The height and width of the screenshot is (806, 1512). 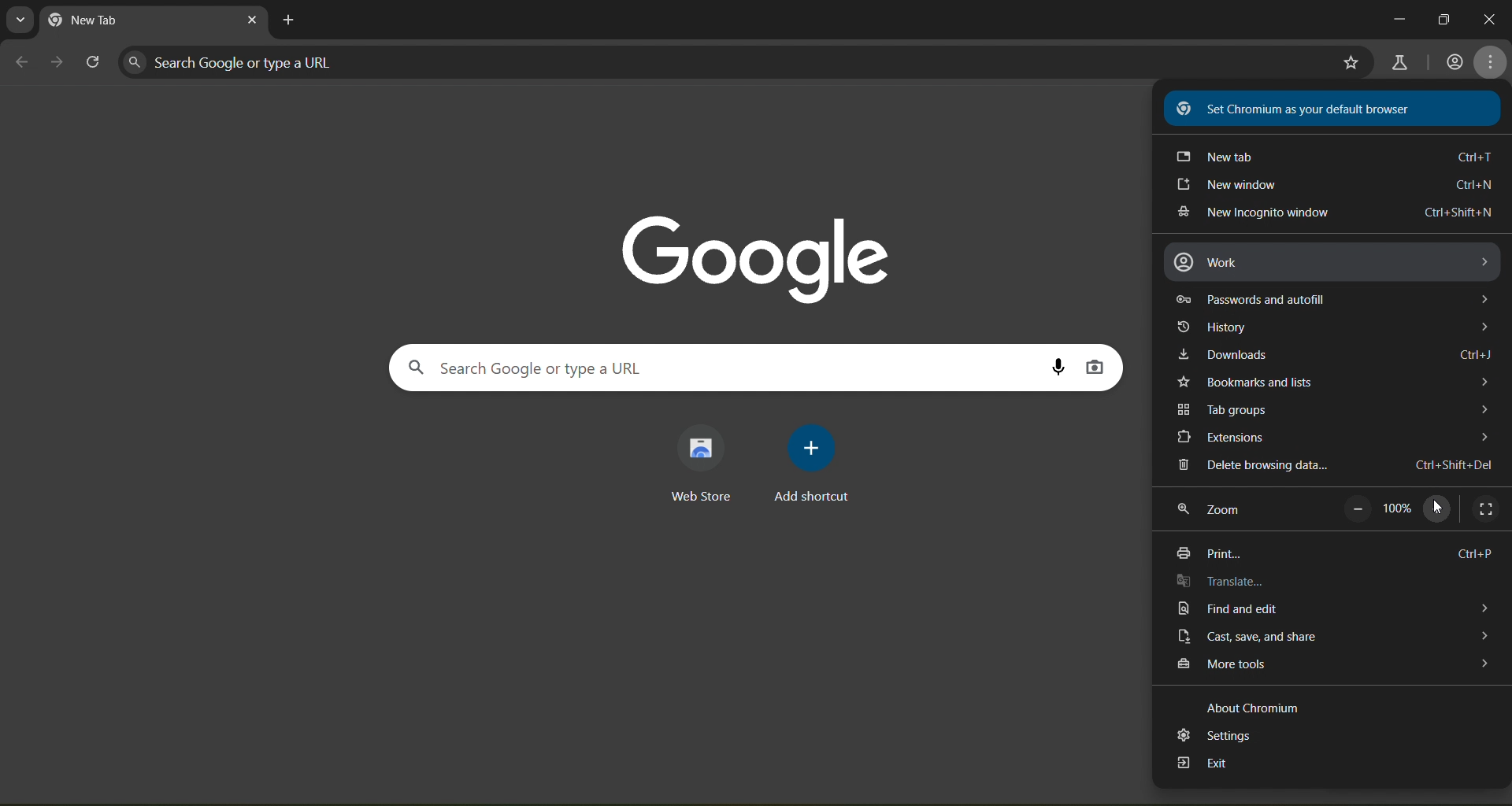 What do you see at coordinates (1454, 63) in the screenshot?
I see `account` at bounding box center [1454, 63].